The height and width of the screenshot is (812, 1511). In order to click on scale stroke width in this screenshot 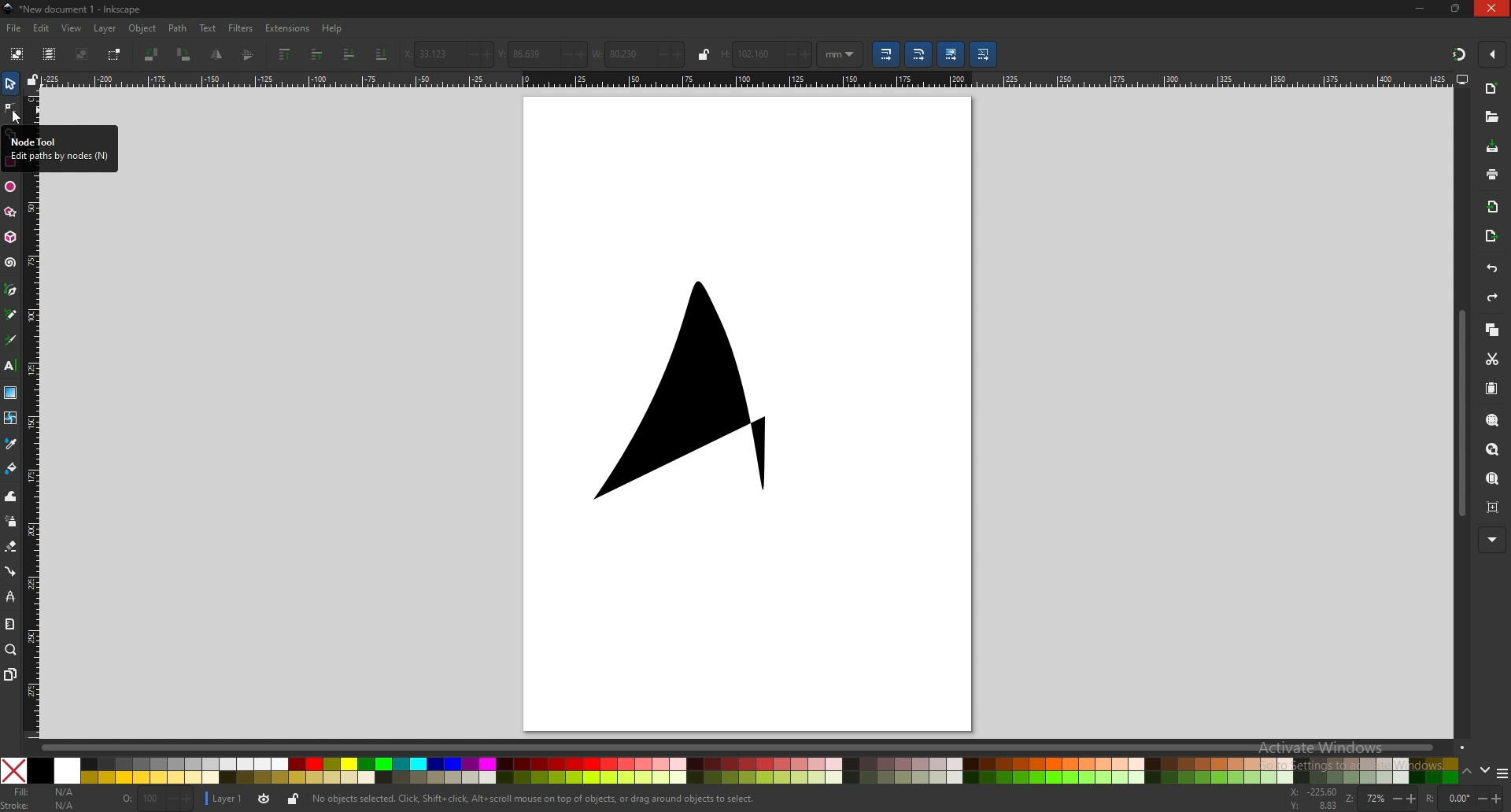, I will do `click(886, 54)`.